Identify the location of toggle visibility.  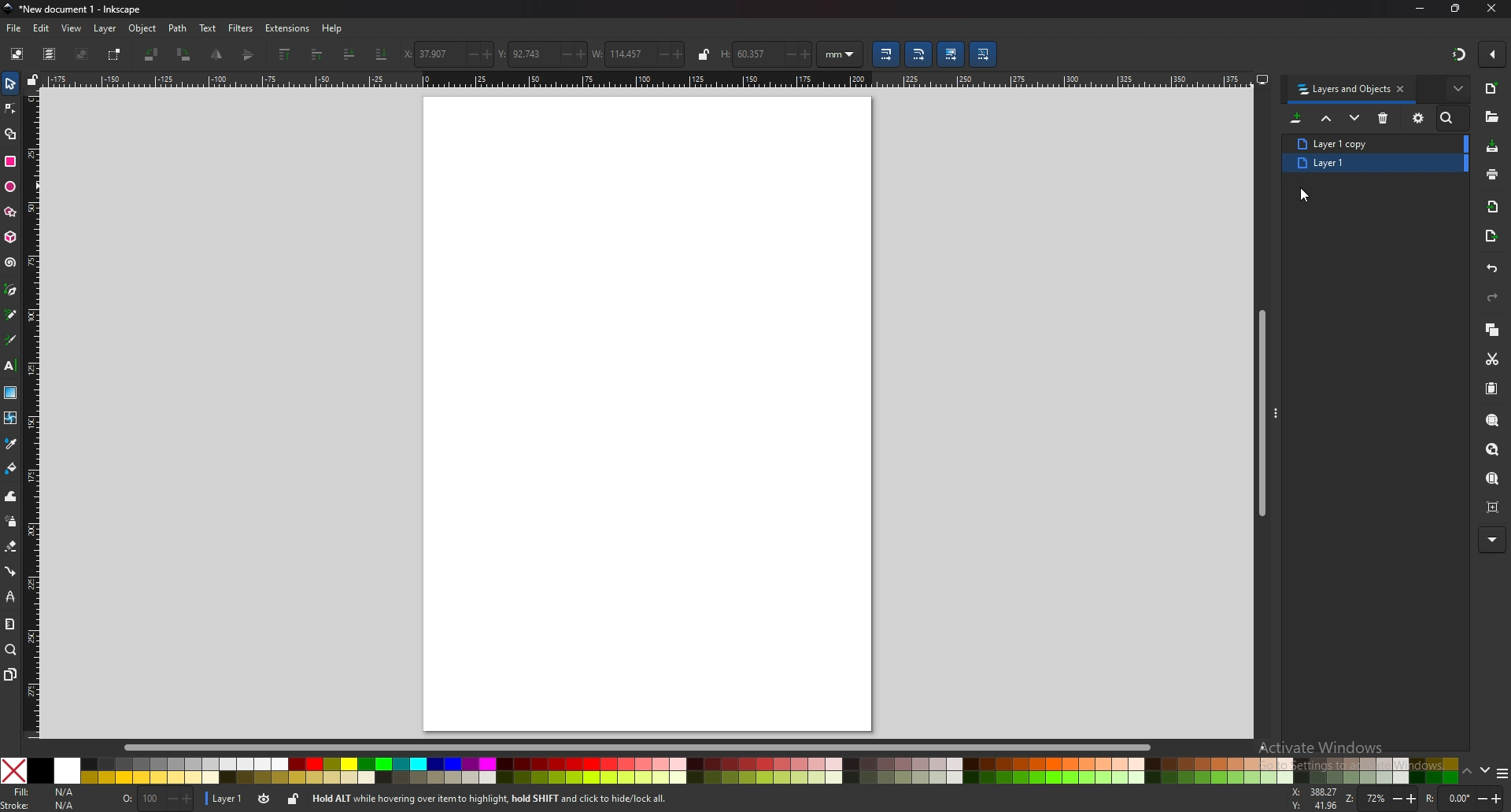
(264, 798).